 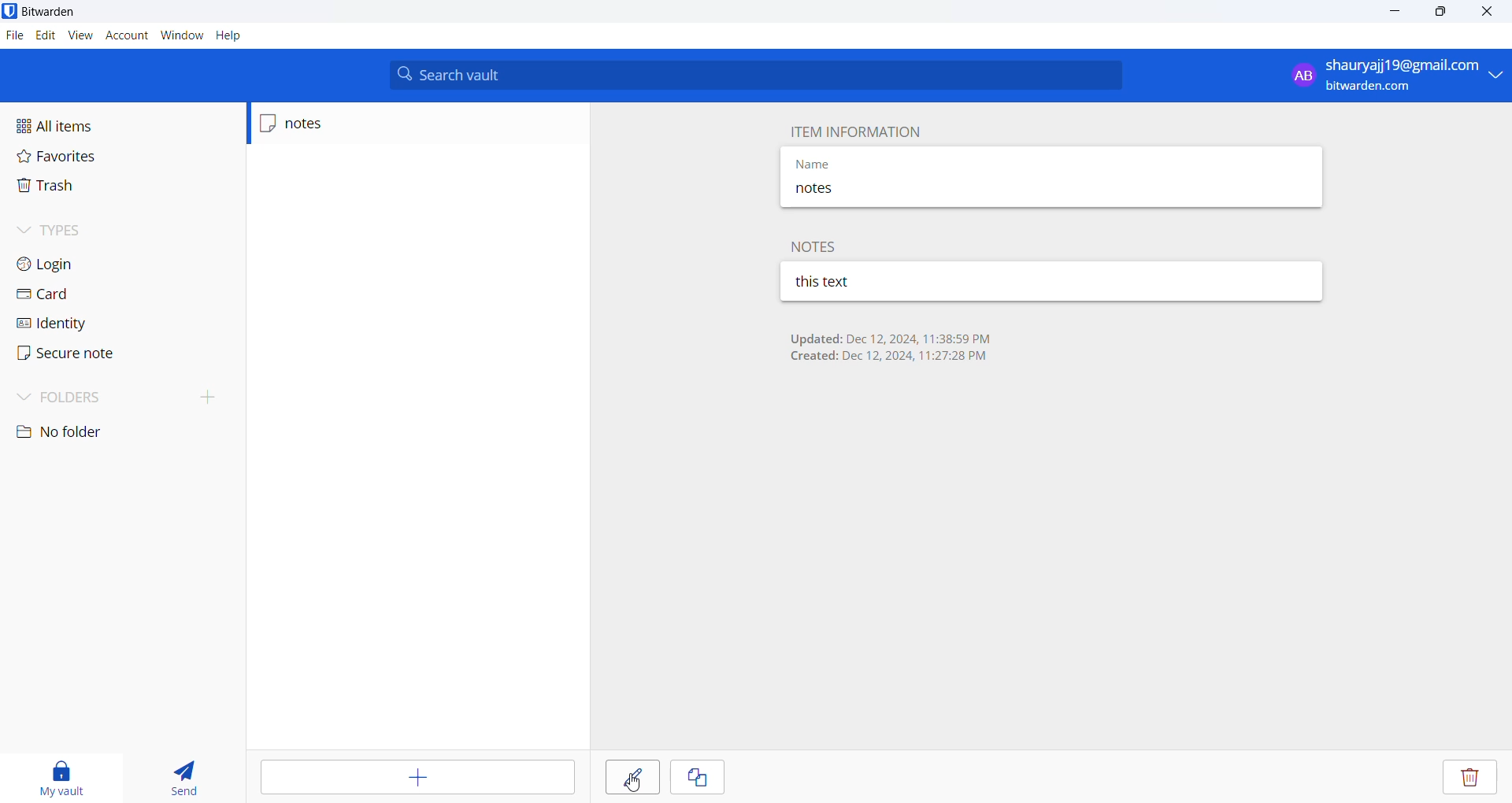 What do you see at coordinates (13, 35) in the screenshot?
I see `files` at bounding box center [13, 35].